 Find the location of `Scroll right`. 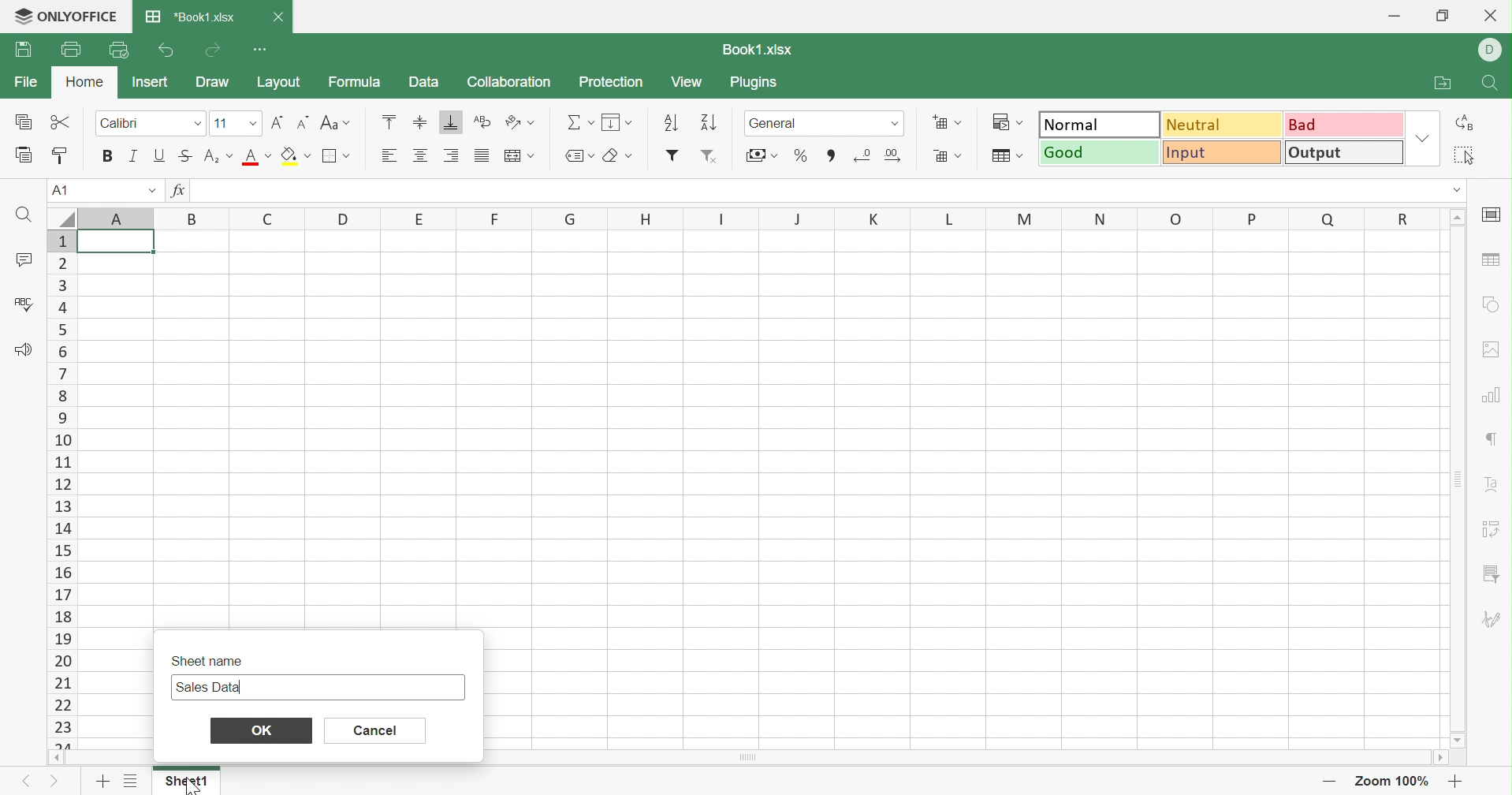

Scroll right is located at coordinates (1442, 759).